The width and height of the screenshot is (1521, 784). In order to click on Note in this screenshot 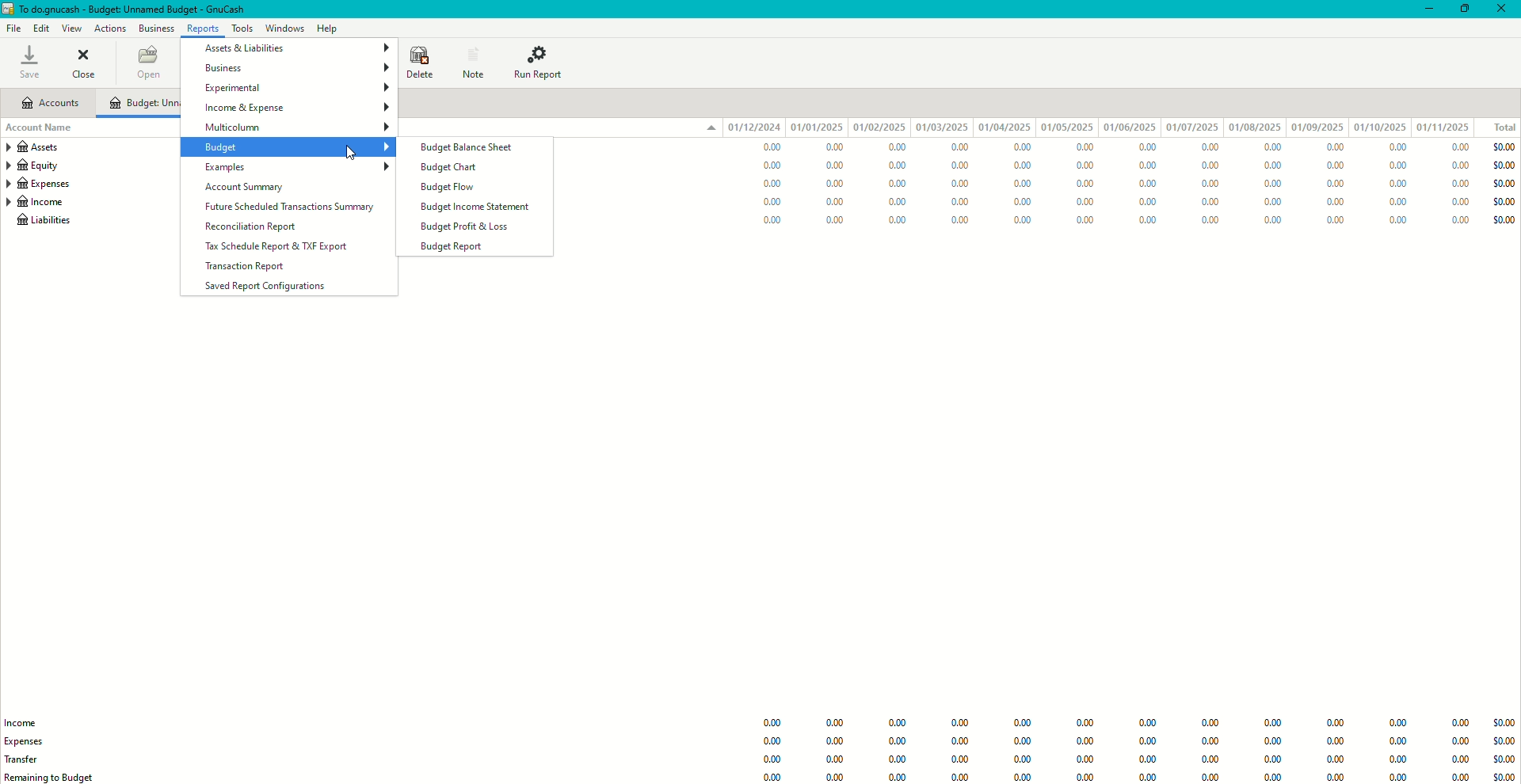, I will do `click(471, 61)`.